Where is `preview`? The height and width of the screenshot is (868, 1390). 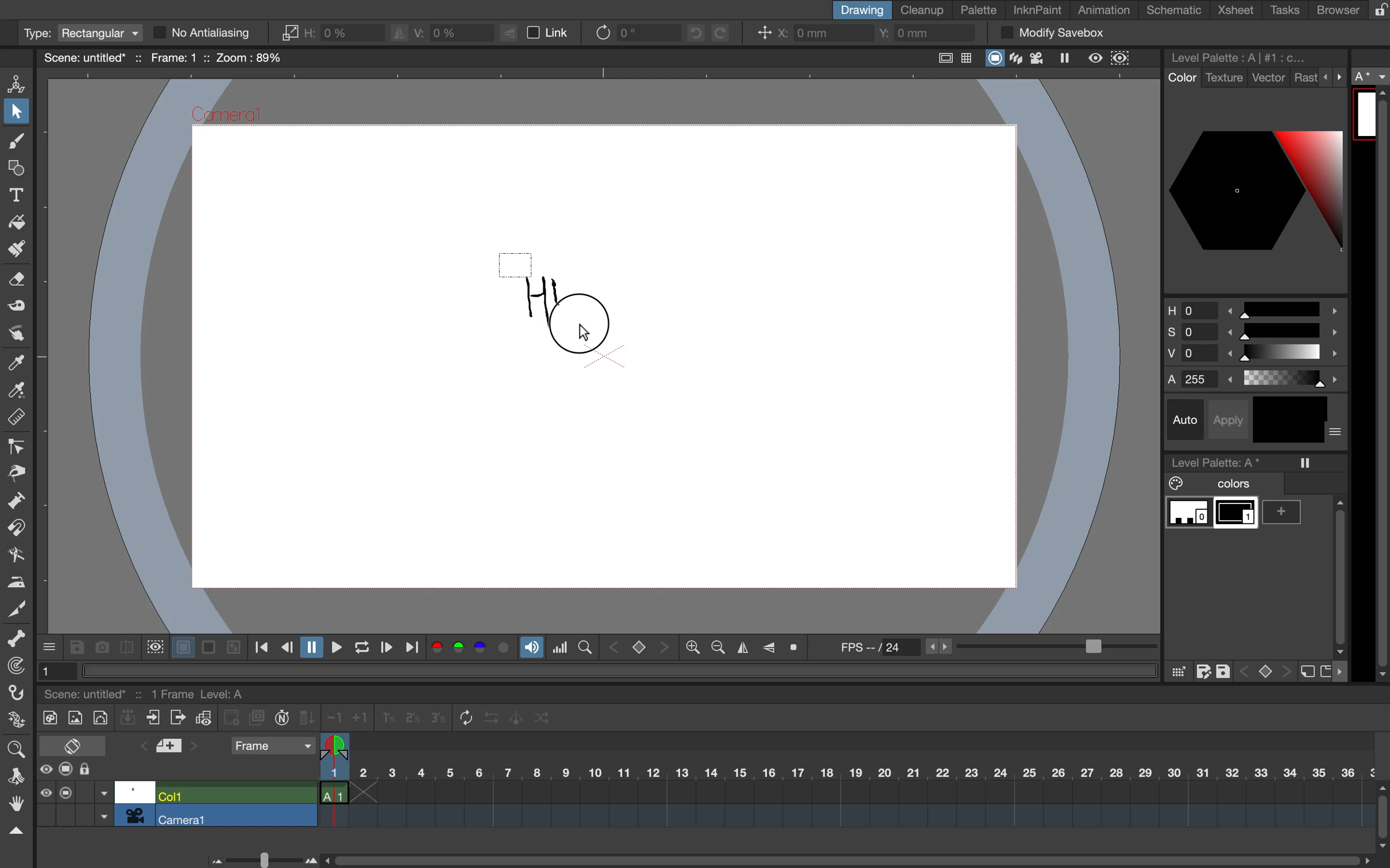
preview is located at coordinates (1096, 57).